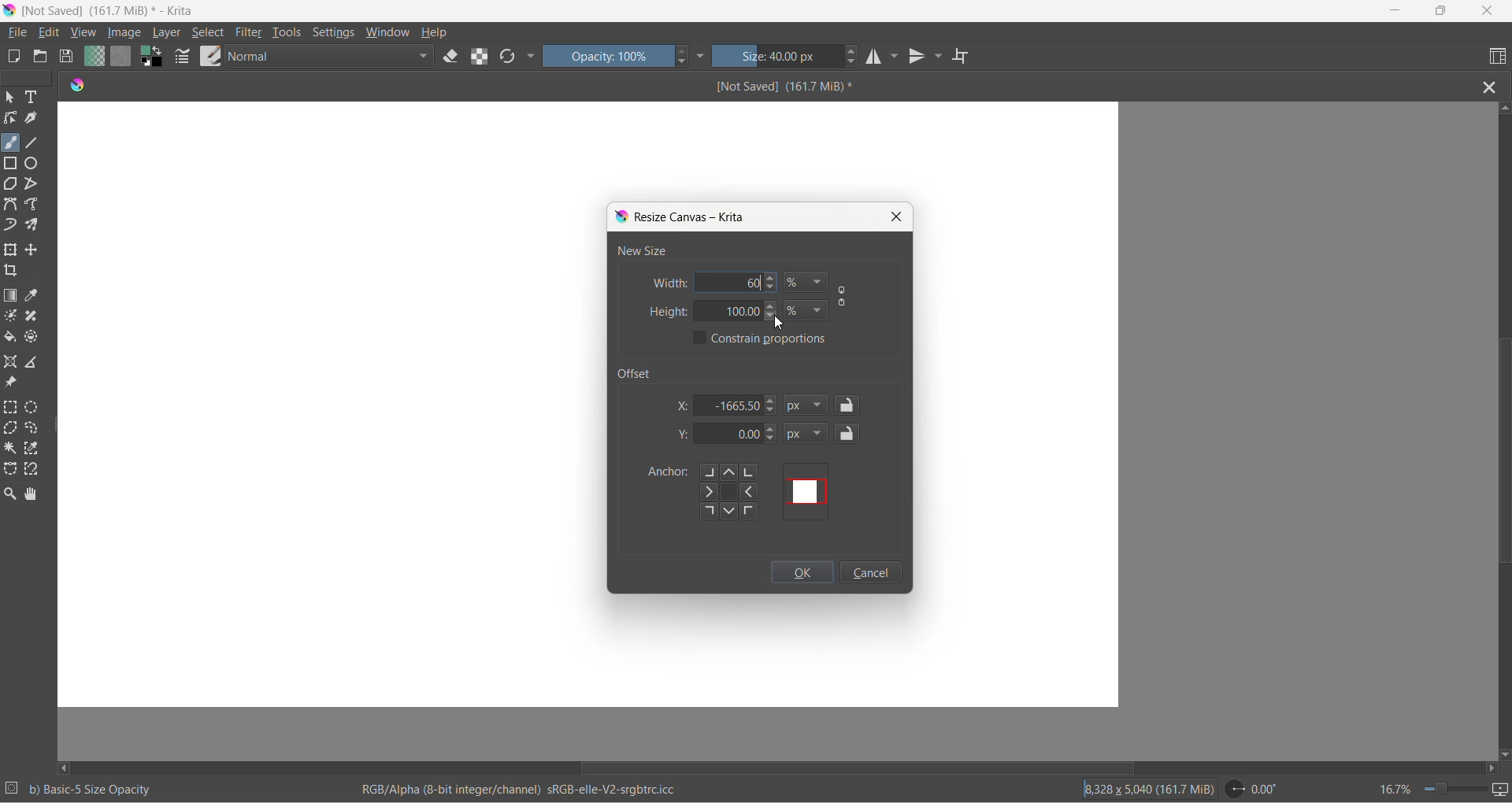  I want to click on brush tool, so click(12, 142).